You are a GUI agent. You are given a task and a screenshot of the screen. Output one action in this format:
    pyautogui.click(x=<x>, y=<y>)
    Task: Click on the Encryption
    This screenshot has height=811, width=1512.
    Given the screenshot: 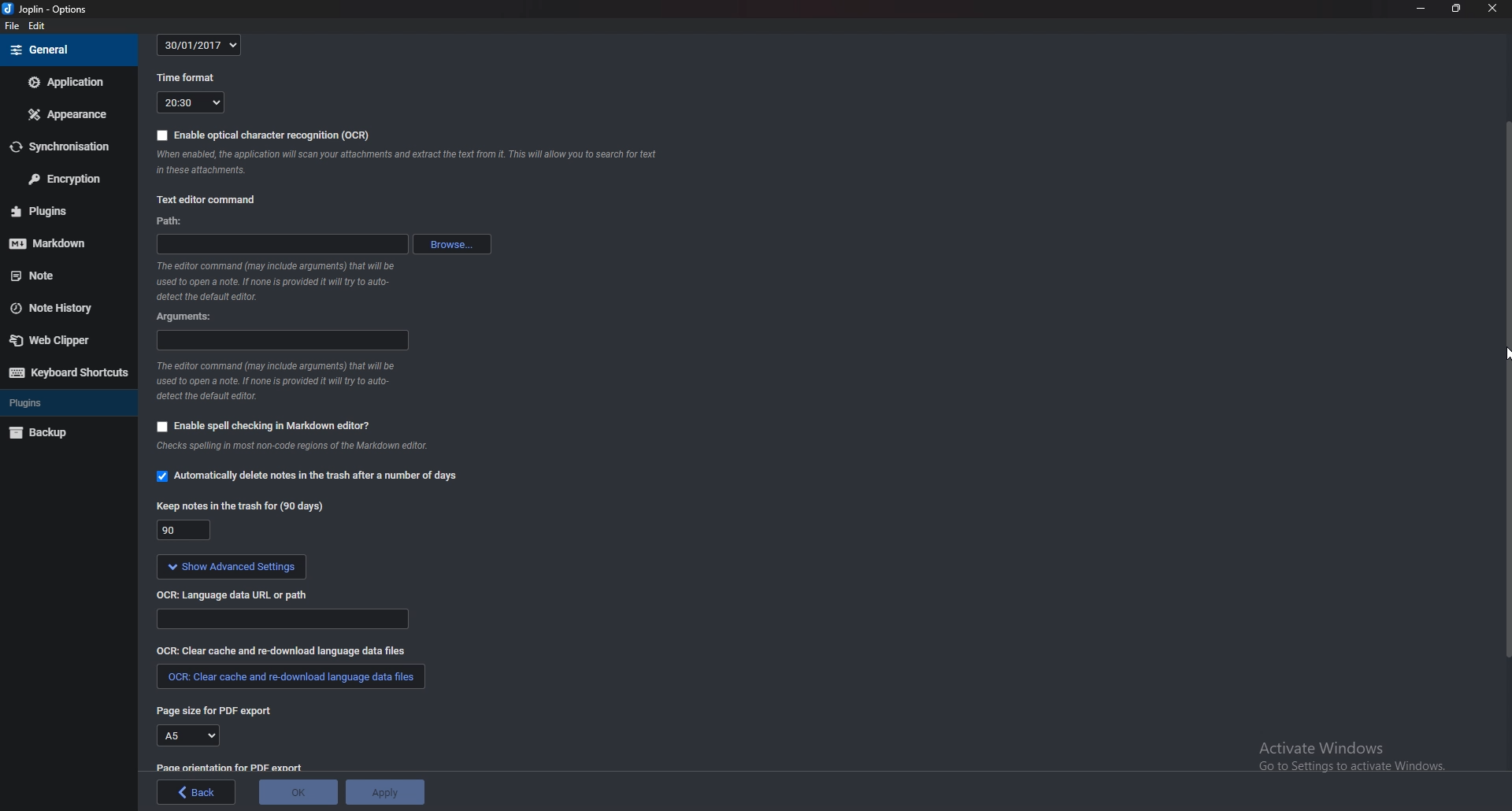 What is the action you would take?
    pyautogui.click(x=70, y=177)
    